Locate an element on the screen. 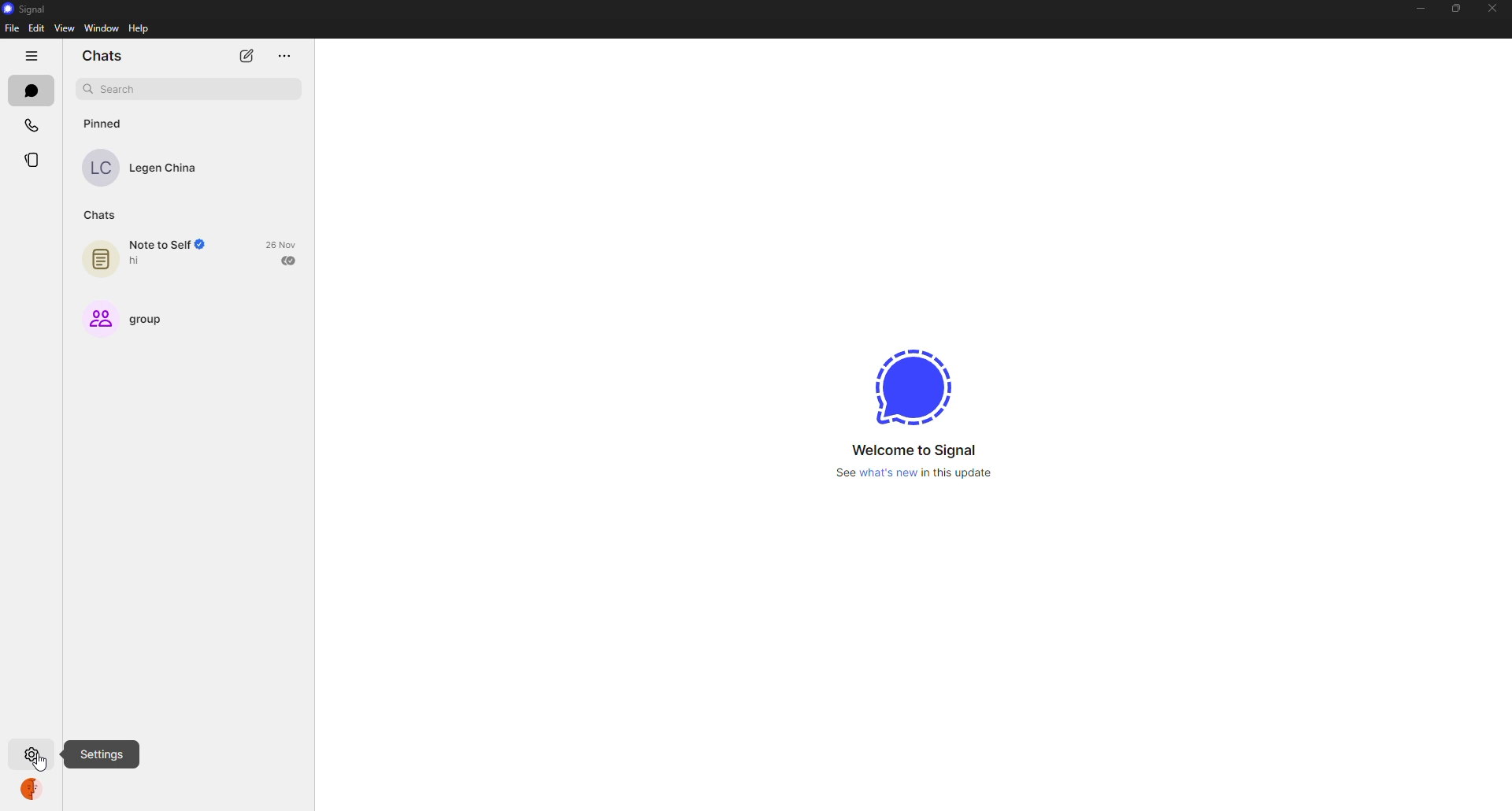 The width and height of the screenshot is (1512, 811). file is located at coordinates (12, 28).